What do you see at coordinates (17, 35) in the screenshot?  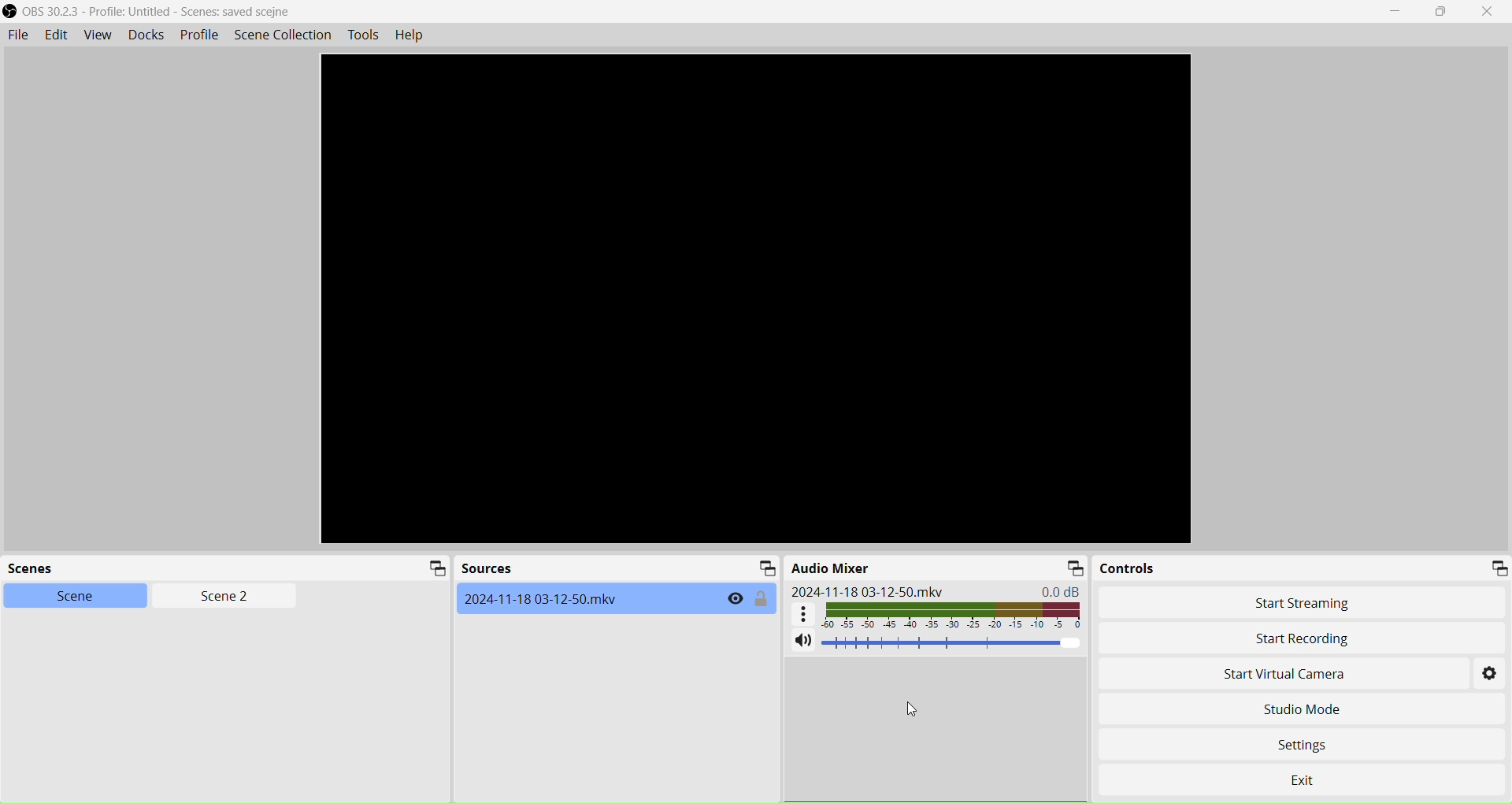 I see `File` at bounding box center [17, 35].